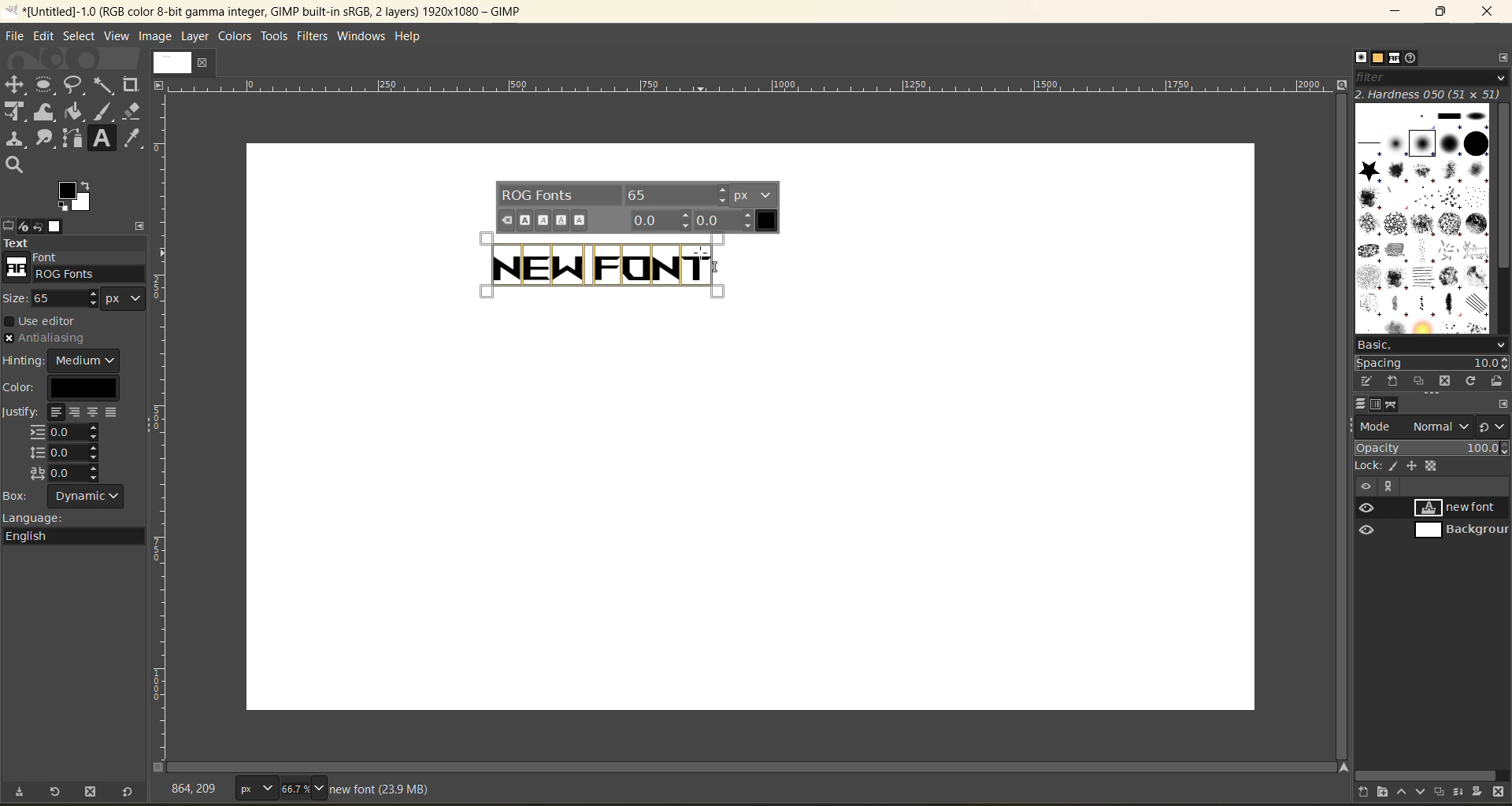  I want to click on layers, so click(1362, 401).